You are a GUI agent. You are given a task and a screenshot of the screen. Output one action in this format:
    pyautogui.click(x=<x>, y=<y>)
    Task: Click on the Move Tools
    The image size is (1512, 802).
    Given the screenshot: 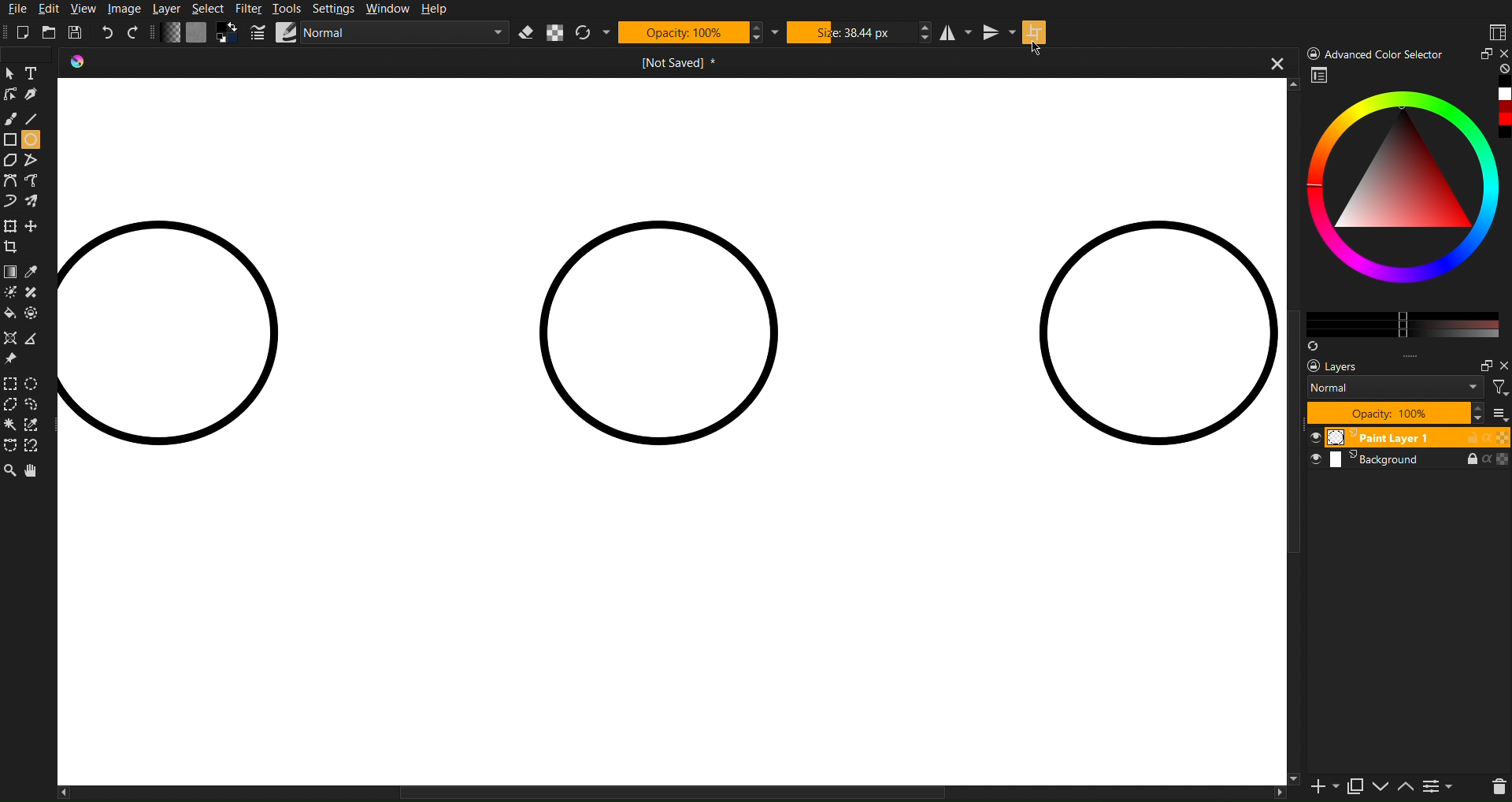 What is the action you would take?
    pyautogui.click(x=9, y=225)
    